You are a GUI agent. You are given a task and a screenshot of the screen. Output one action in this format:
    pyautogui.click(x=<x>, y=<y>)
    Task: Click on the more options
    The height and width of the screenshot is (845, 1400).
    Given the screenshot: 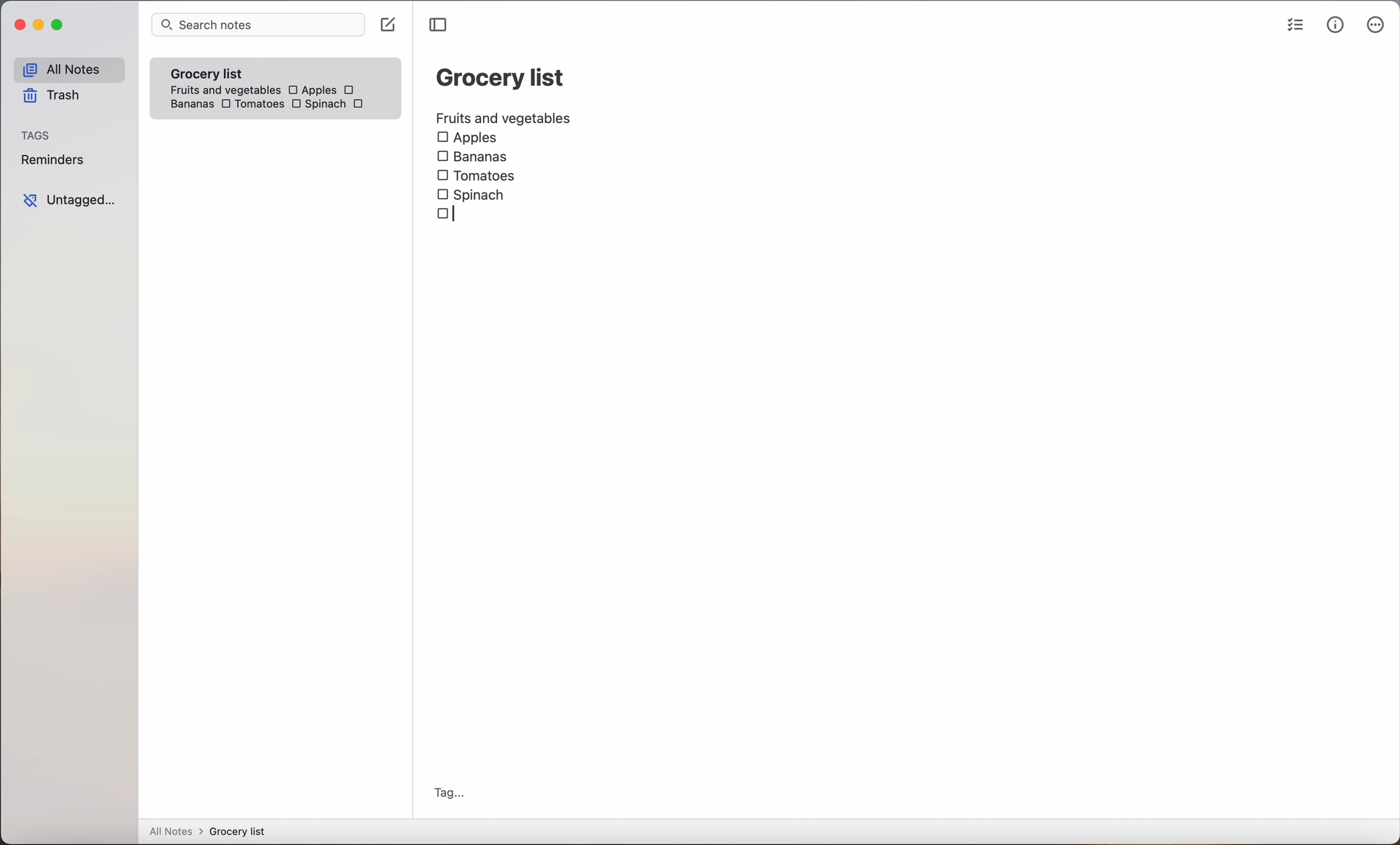 What is the action you would take?
    pyautogui.click(x=1376, y=27)
    